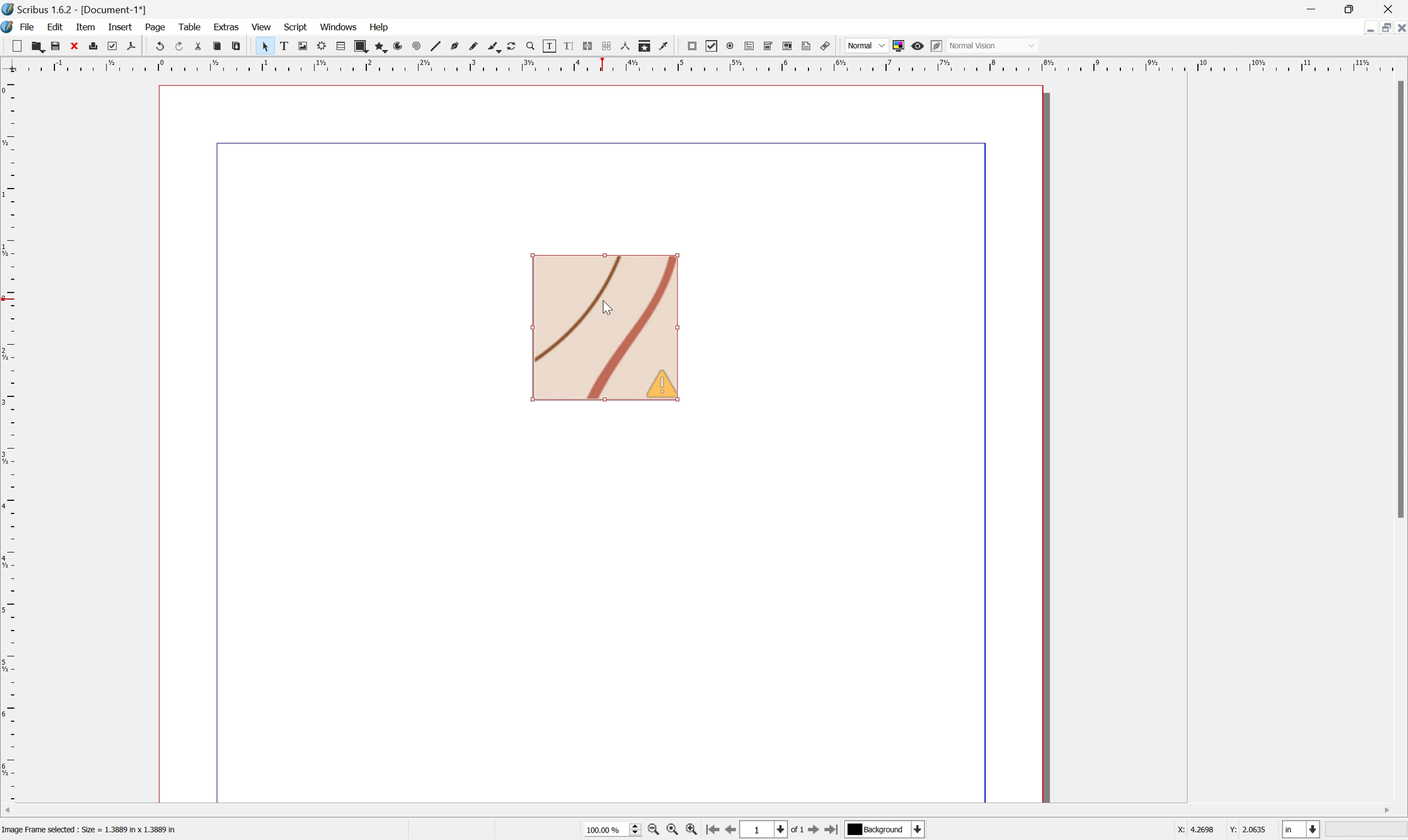  Describe the element at coordinates (85, 28) in the screenshot. I see `Item` at that location.